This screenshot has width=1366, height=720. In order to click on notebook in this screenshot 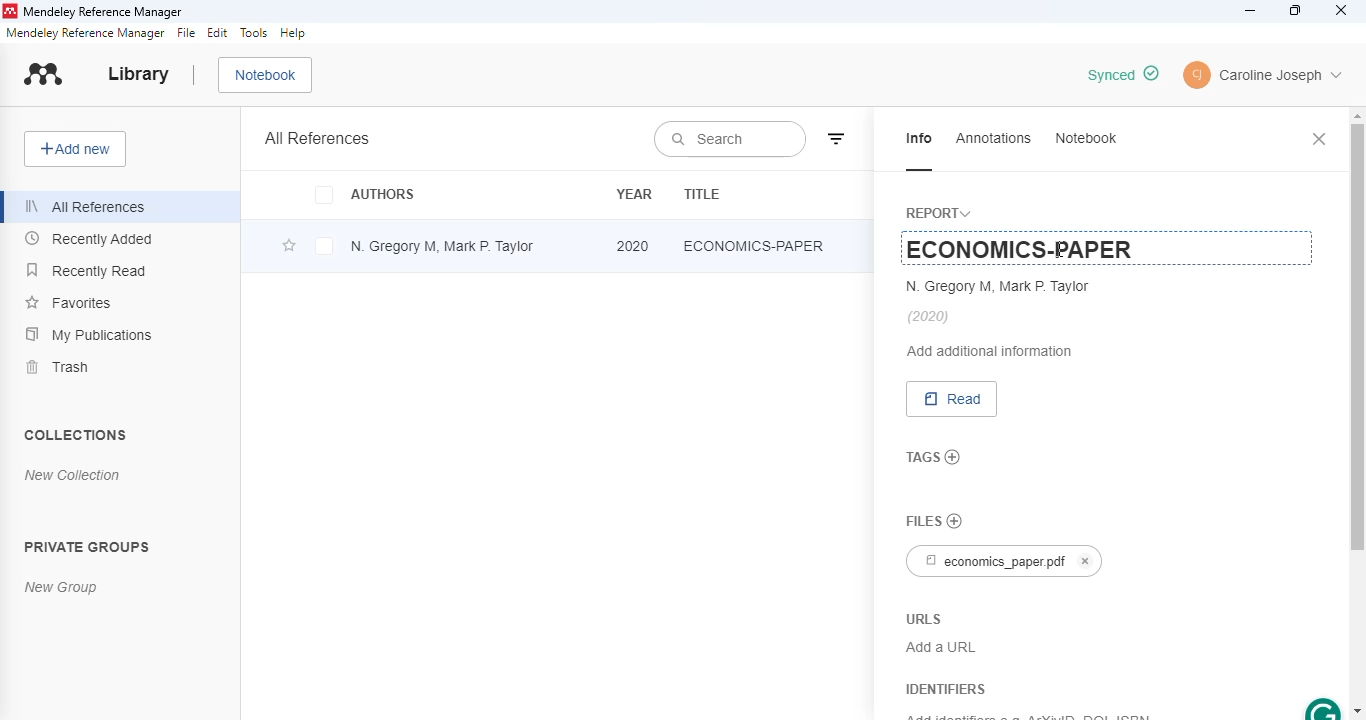, I will do `click(265, 75)`.